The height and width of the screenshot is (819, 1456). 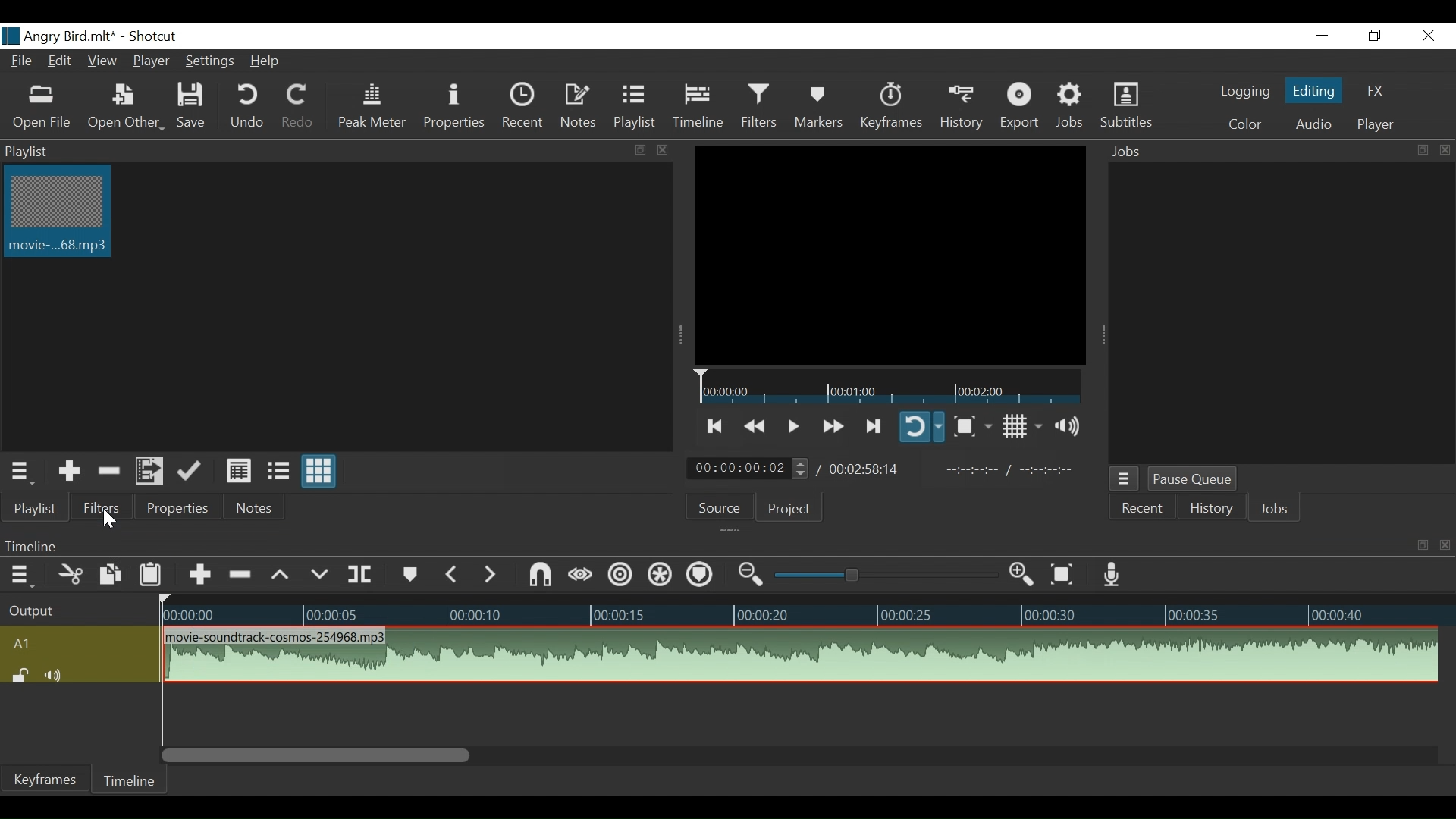 I want to click on Notes, so click(x=257, y=505).